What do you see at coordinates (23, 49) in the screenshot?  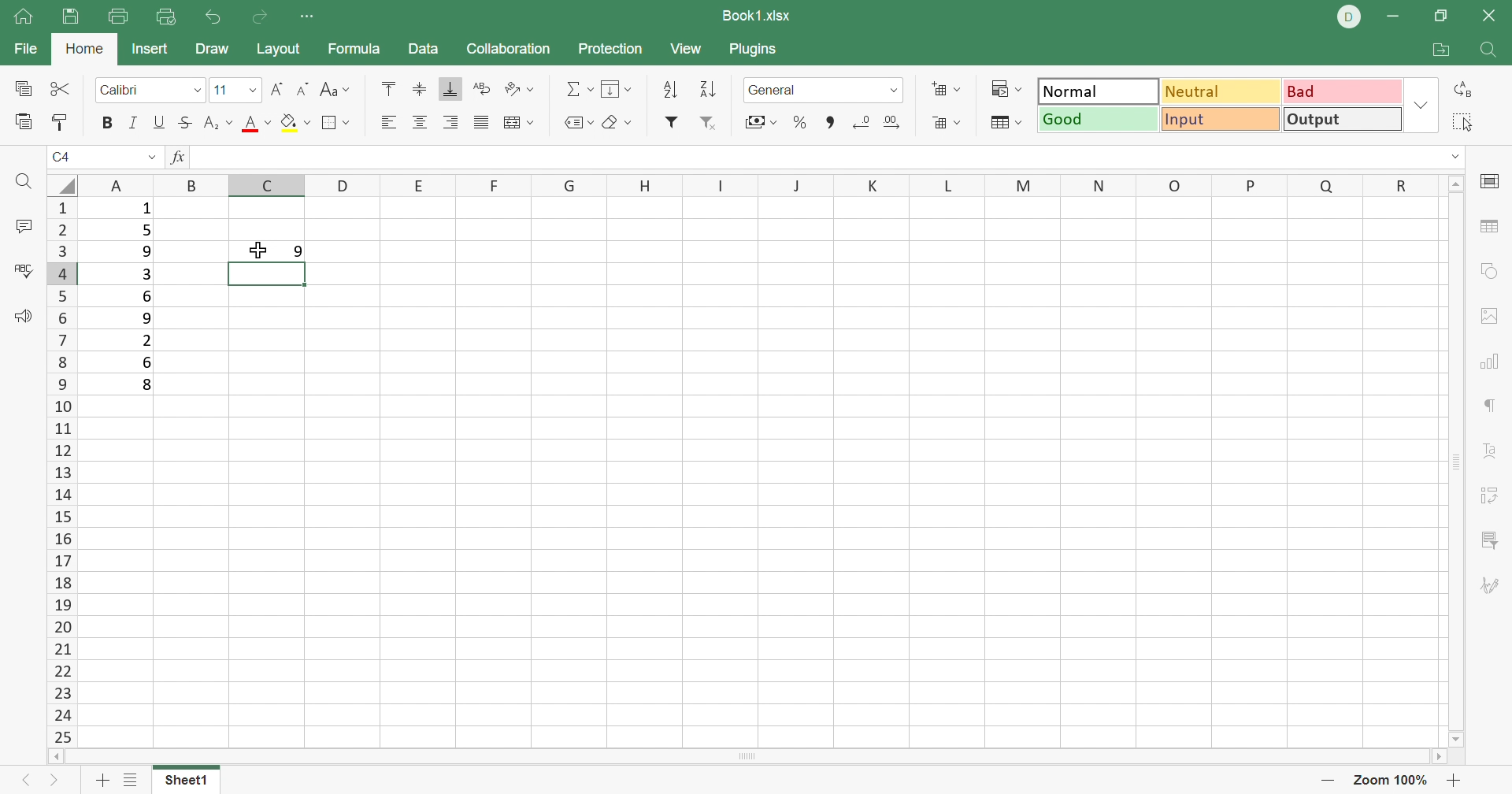 I see `File` at bounding box center [23, 49].